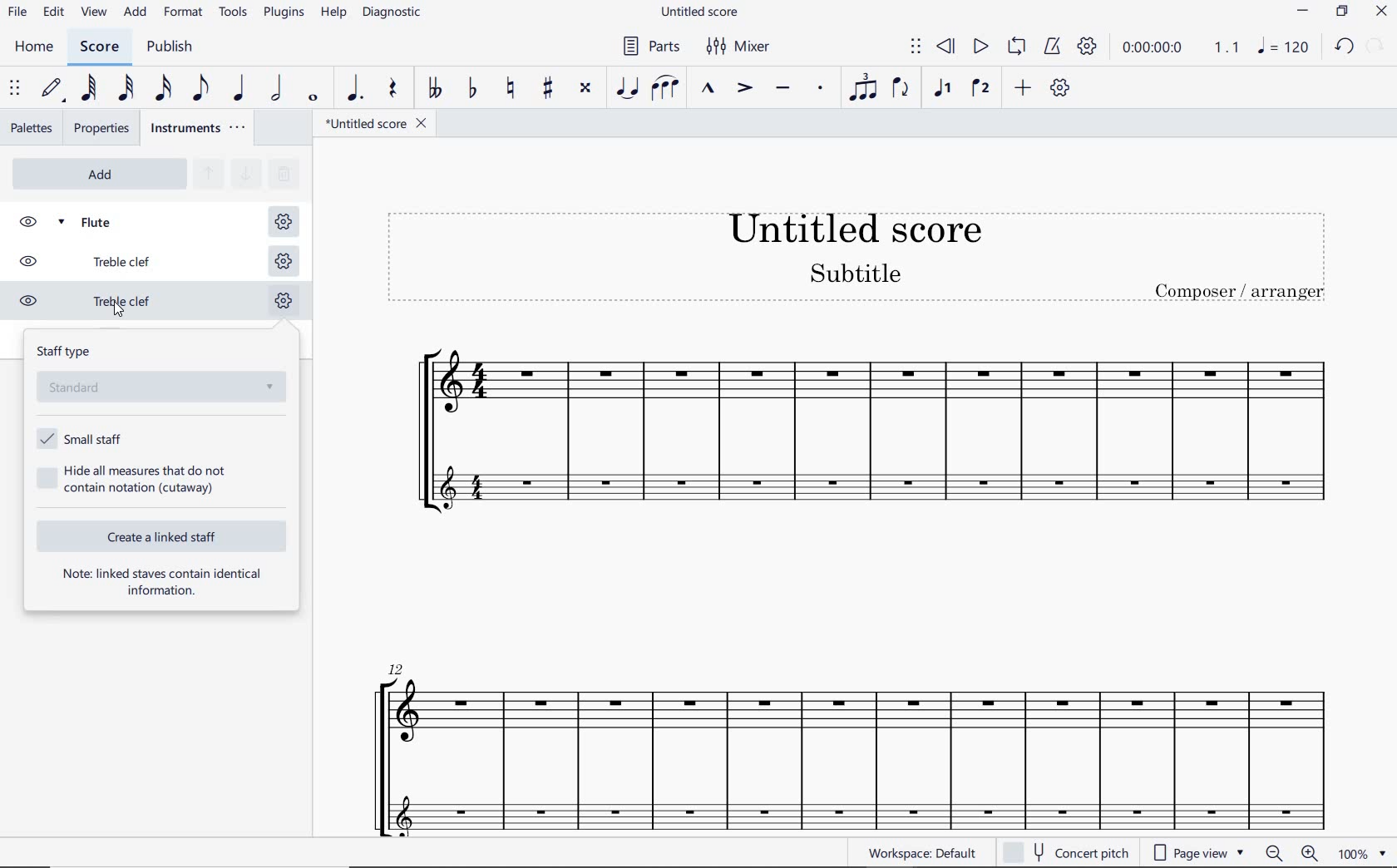  What do you see at coordinates (941, 90) in the screenshot?
I see `VOICE 1` at bounding box center [941, 90].